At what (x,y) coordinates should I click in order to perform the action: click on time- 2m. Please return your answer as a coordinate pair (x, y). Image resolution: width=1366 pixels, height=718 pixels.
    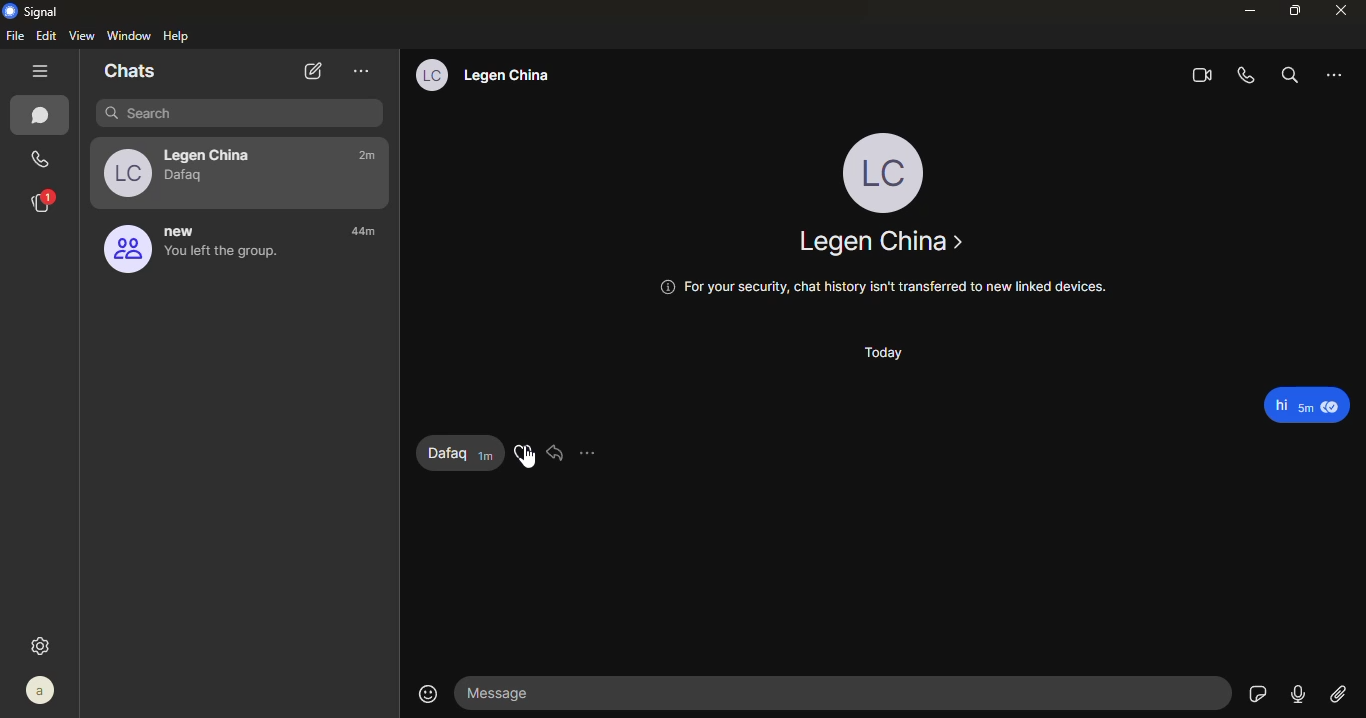
    Looking at the image, I should click on (368, 157).